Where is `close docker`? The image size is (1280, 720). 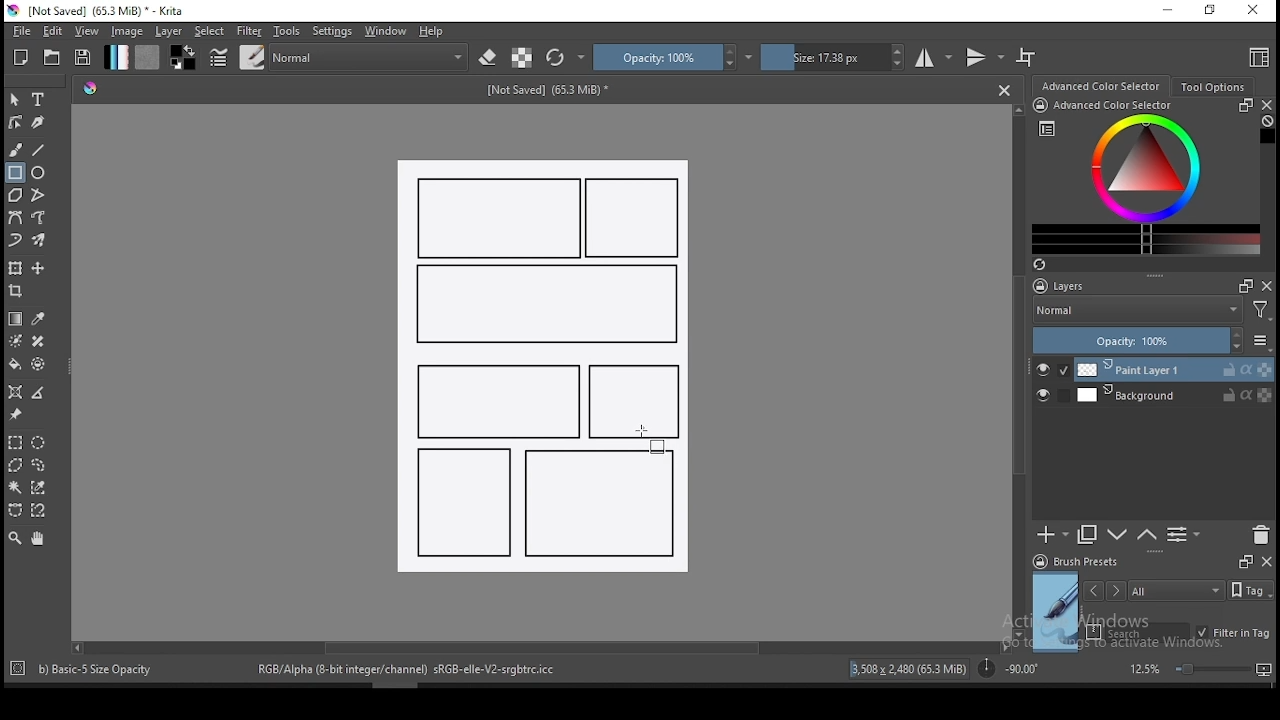
close docker is located at coordinates (1266, 105).